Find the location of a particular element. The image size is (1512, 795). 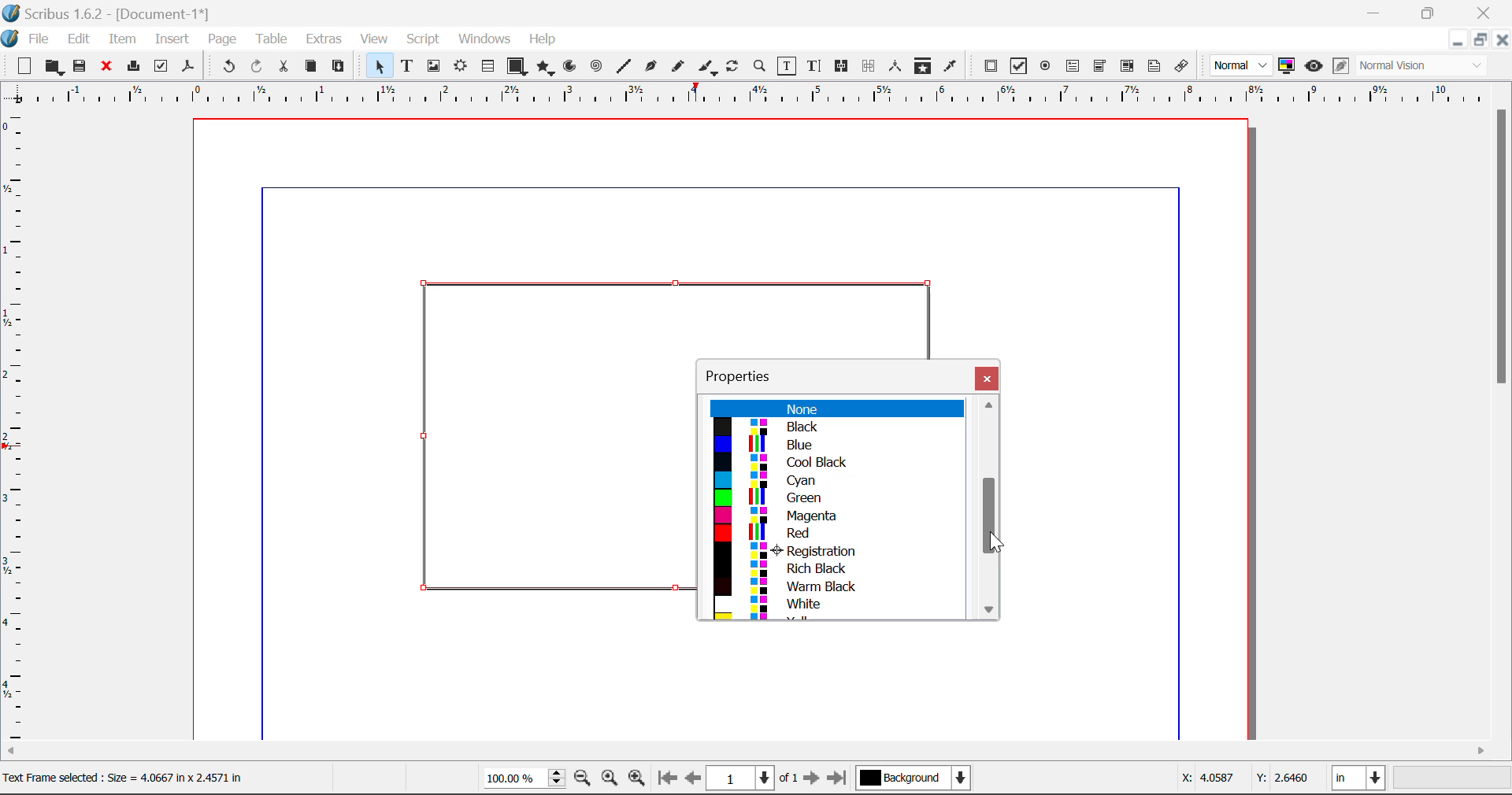

Close is located at coordinates (1485, 13).